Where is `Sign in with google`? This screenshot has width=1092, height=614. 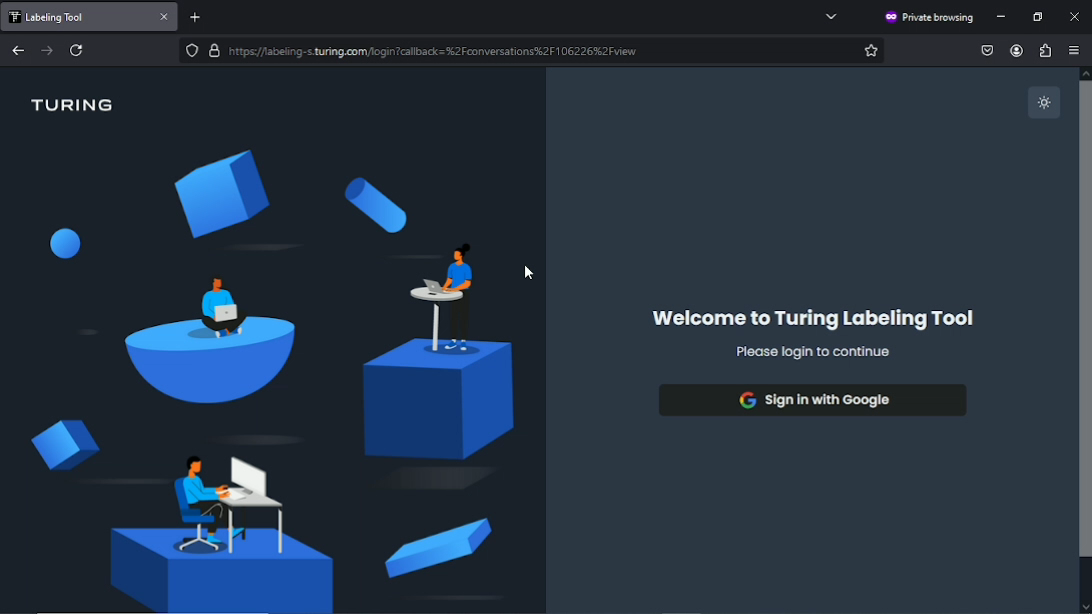
Sign in with google is located at coordinates (811, 400).